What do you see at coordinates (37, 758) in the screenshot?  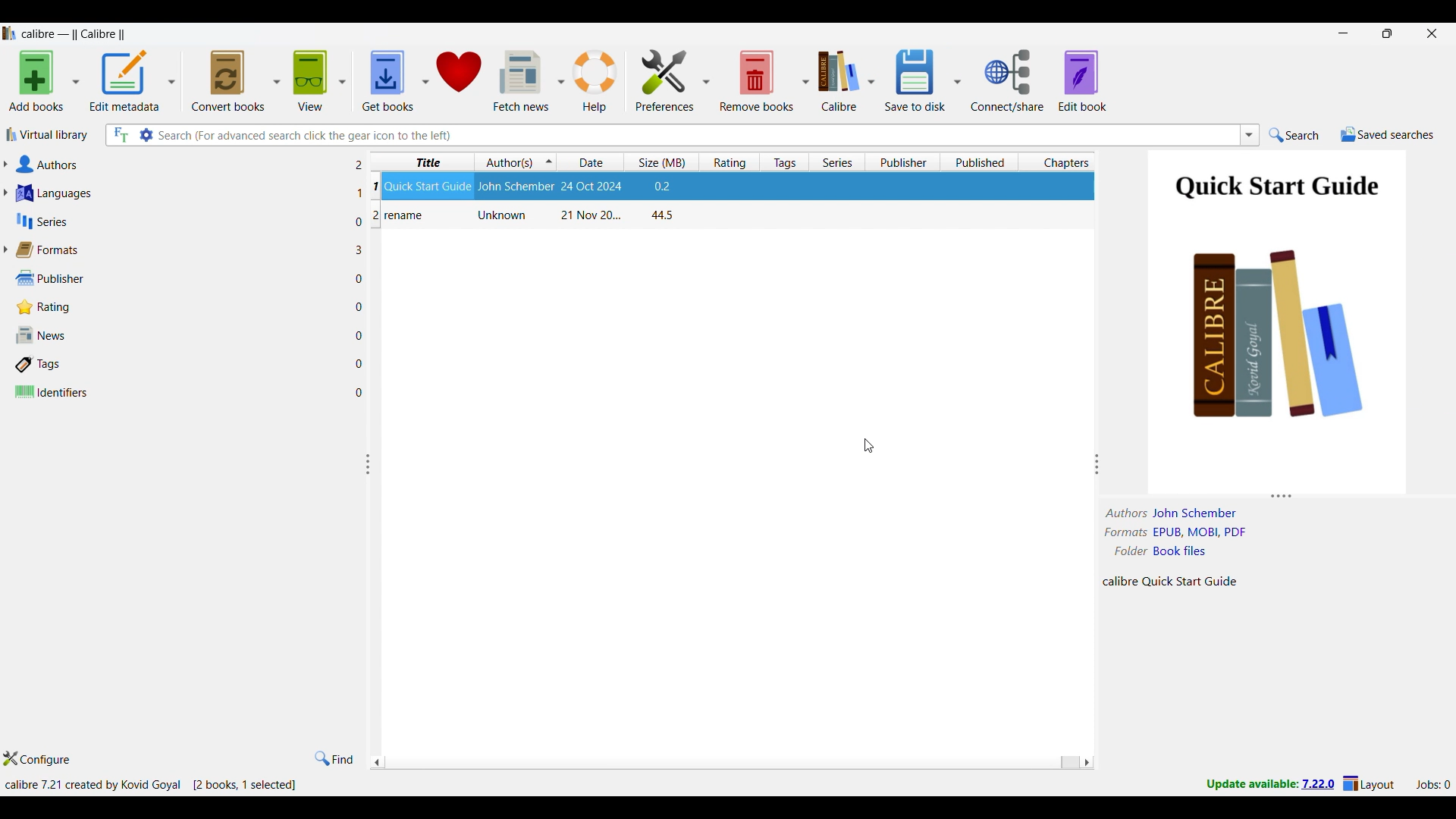 I see `Configure` at bounding box center [37, 758].